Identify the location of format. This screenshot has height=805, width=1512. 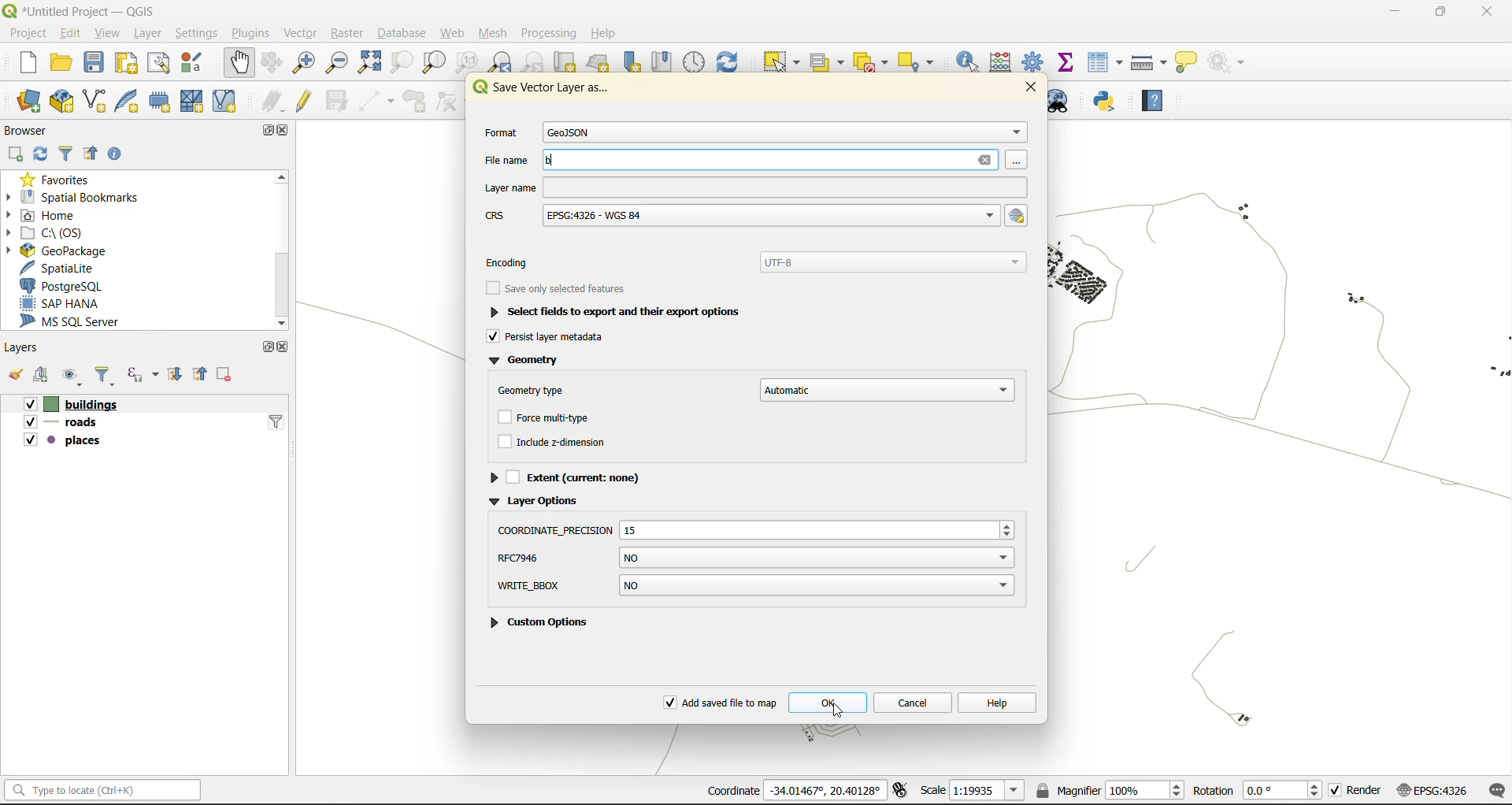
(751, 133).